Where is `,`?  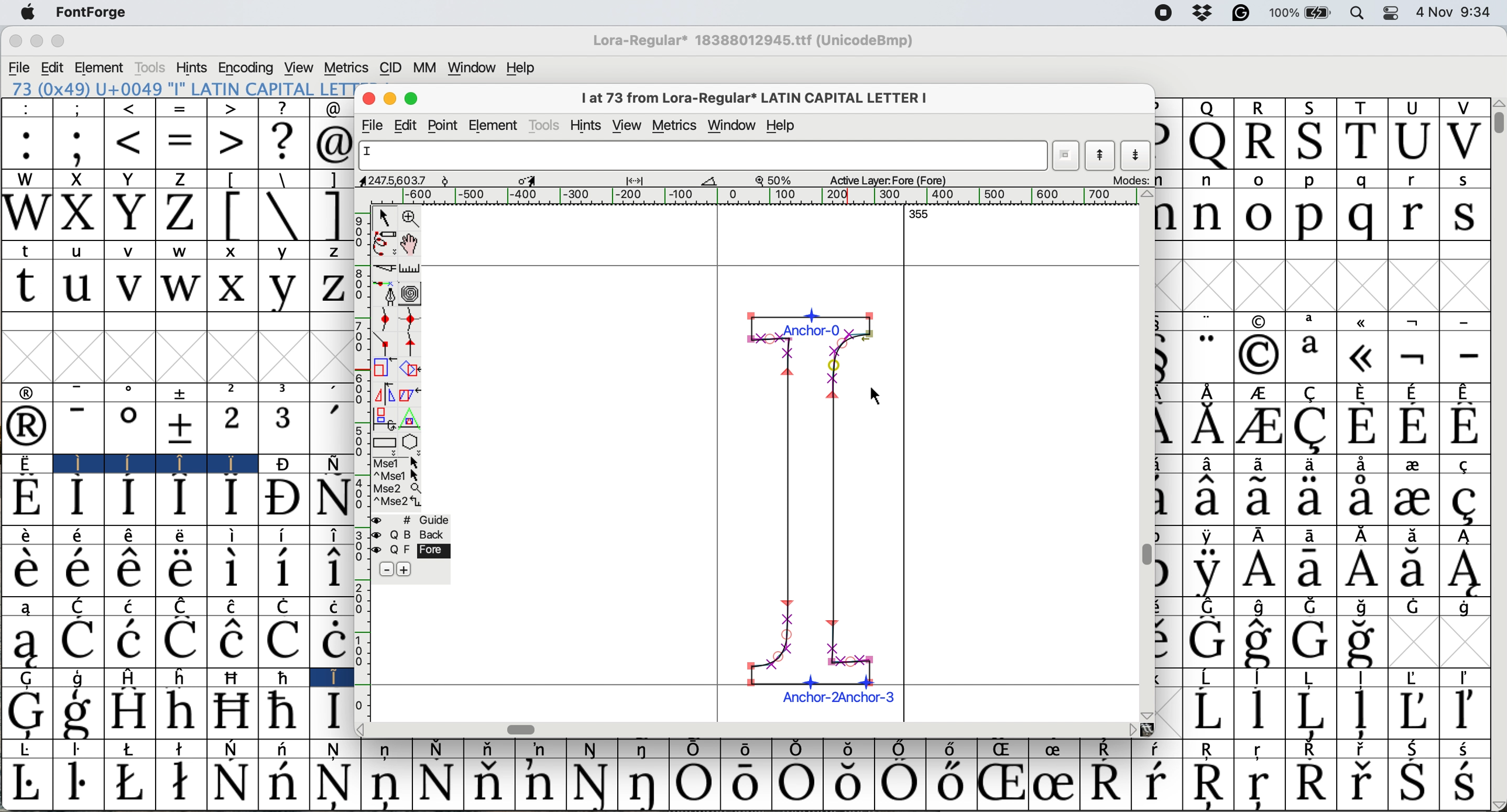 , is located at coordinates (334, 393).